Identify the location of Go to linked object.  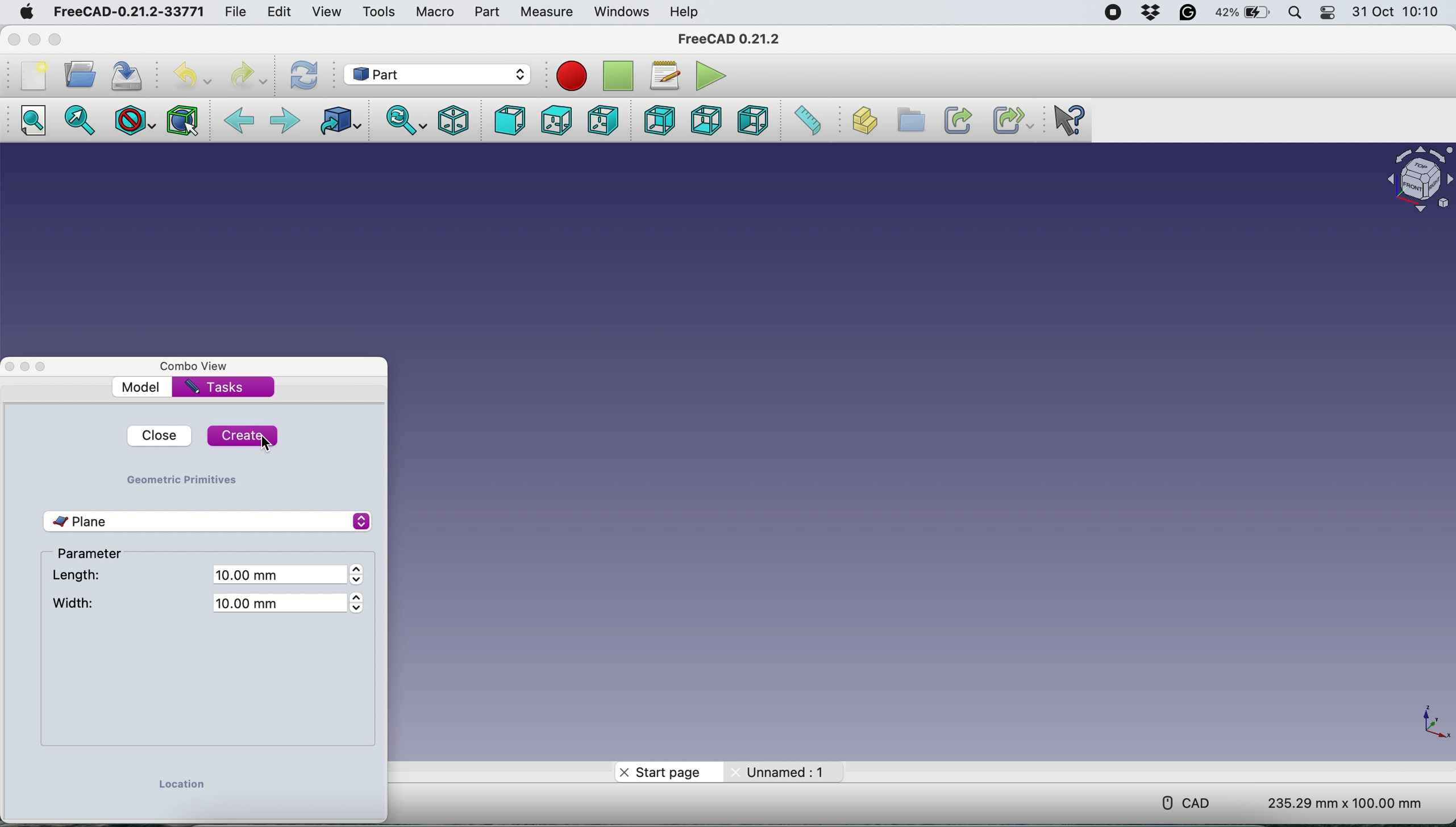
(338, 118).